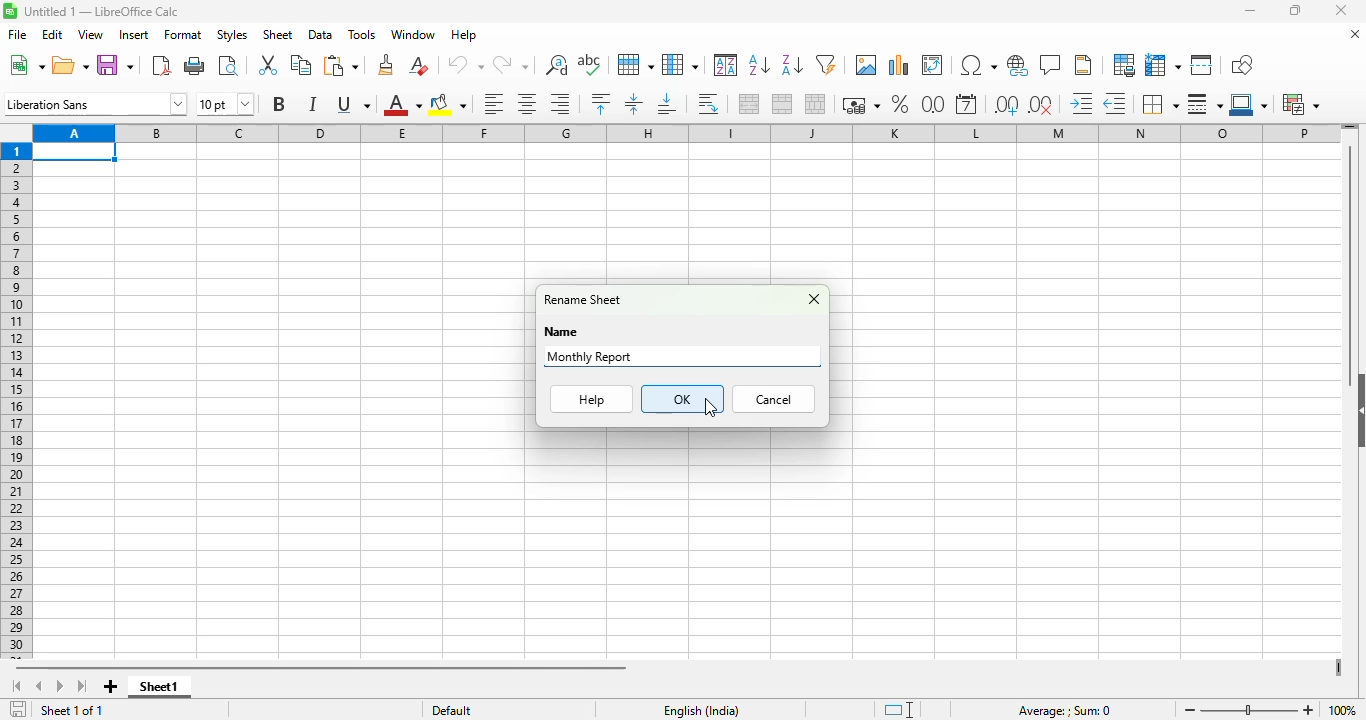 The height and width of the screenshot is (720, 1366). I want to click on font color, so click(401, 104).